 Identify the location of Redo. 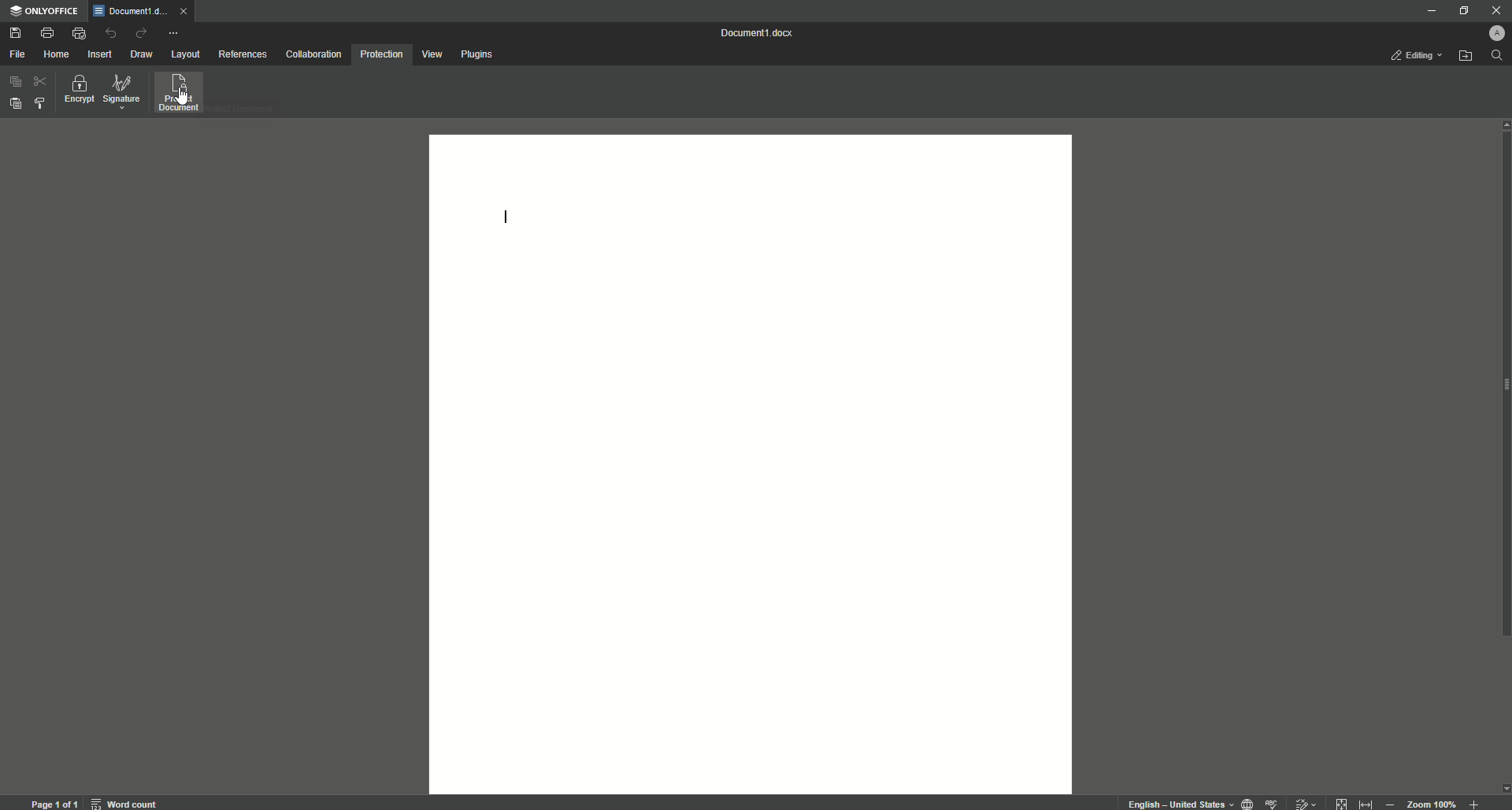
(140, 32).